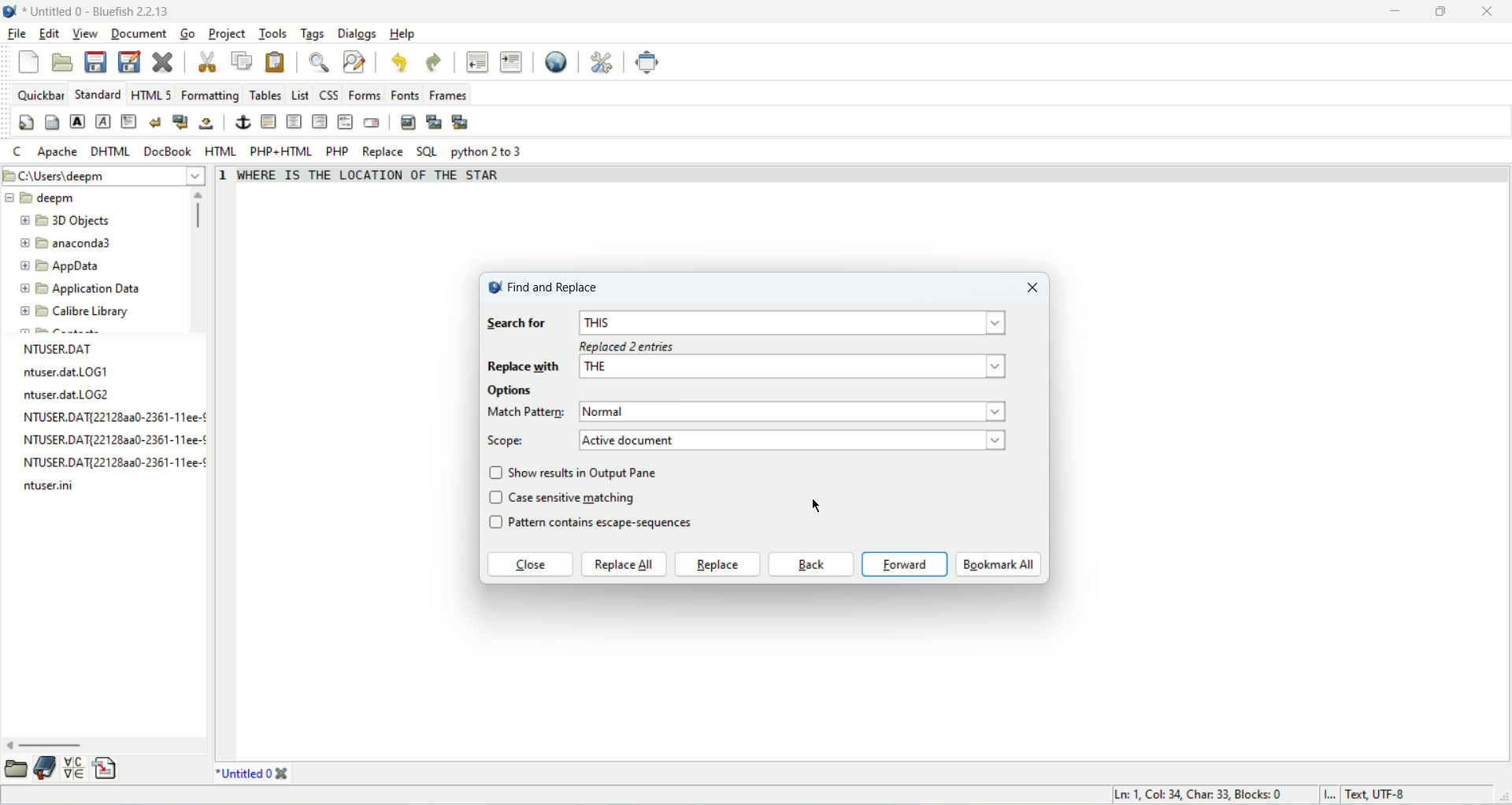  I want to click on copy, so click(243, 60).